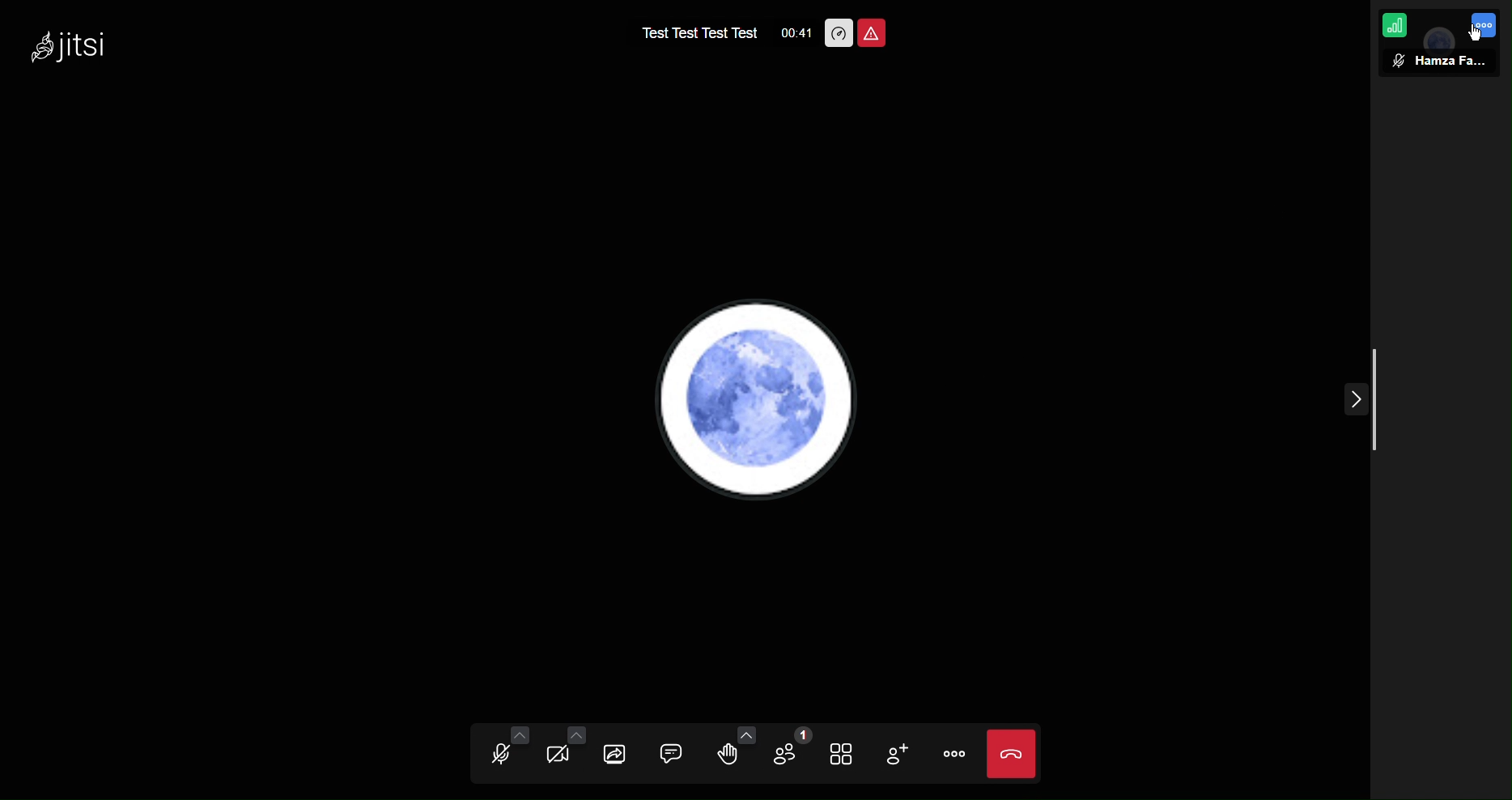 The height and width of the screenshot is (800, 1512). Describe the element at coordinates (1011, 754) in the screenshot. I see `End Call` at that location.